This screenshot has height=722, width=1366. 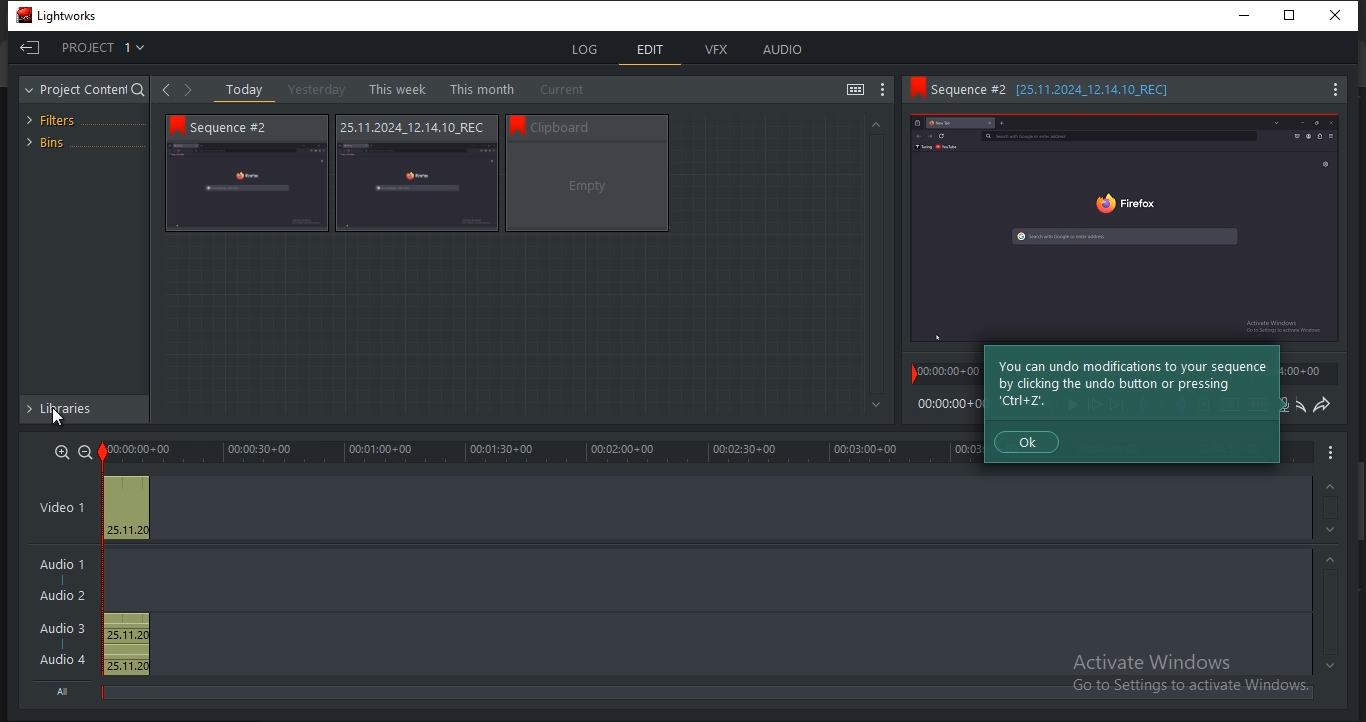 What do you see at coordinates (65, 691) in the screenshot?
I see `All` at bounding box center [65, 691].